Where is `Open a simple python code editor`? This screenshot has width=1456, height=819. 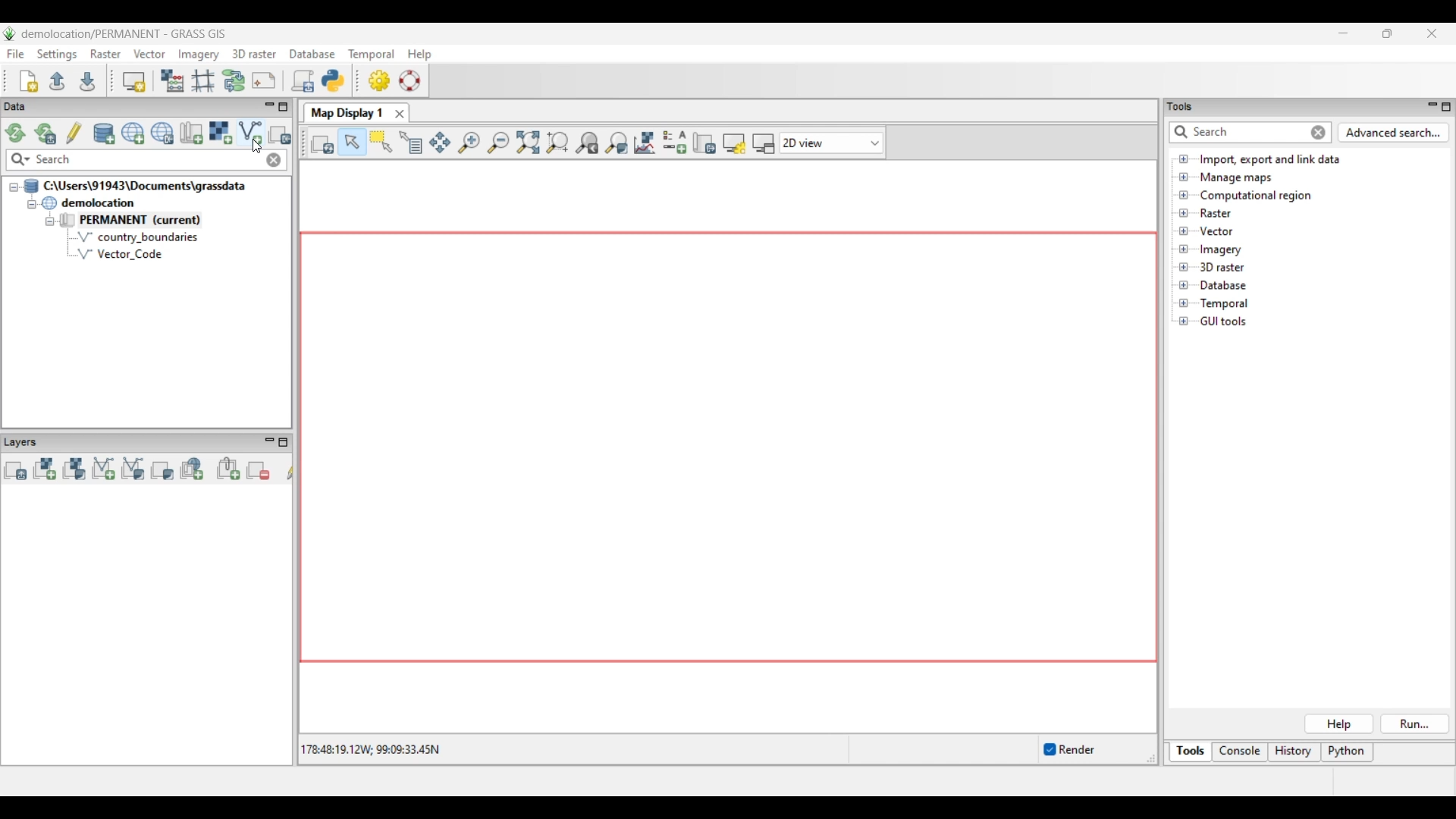 Open a simple python code editor is located at coordinates (333, 80).